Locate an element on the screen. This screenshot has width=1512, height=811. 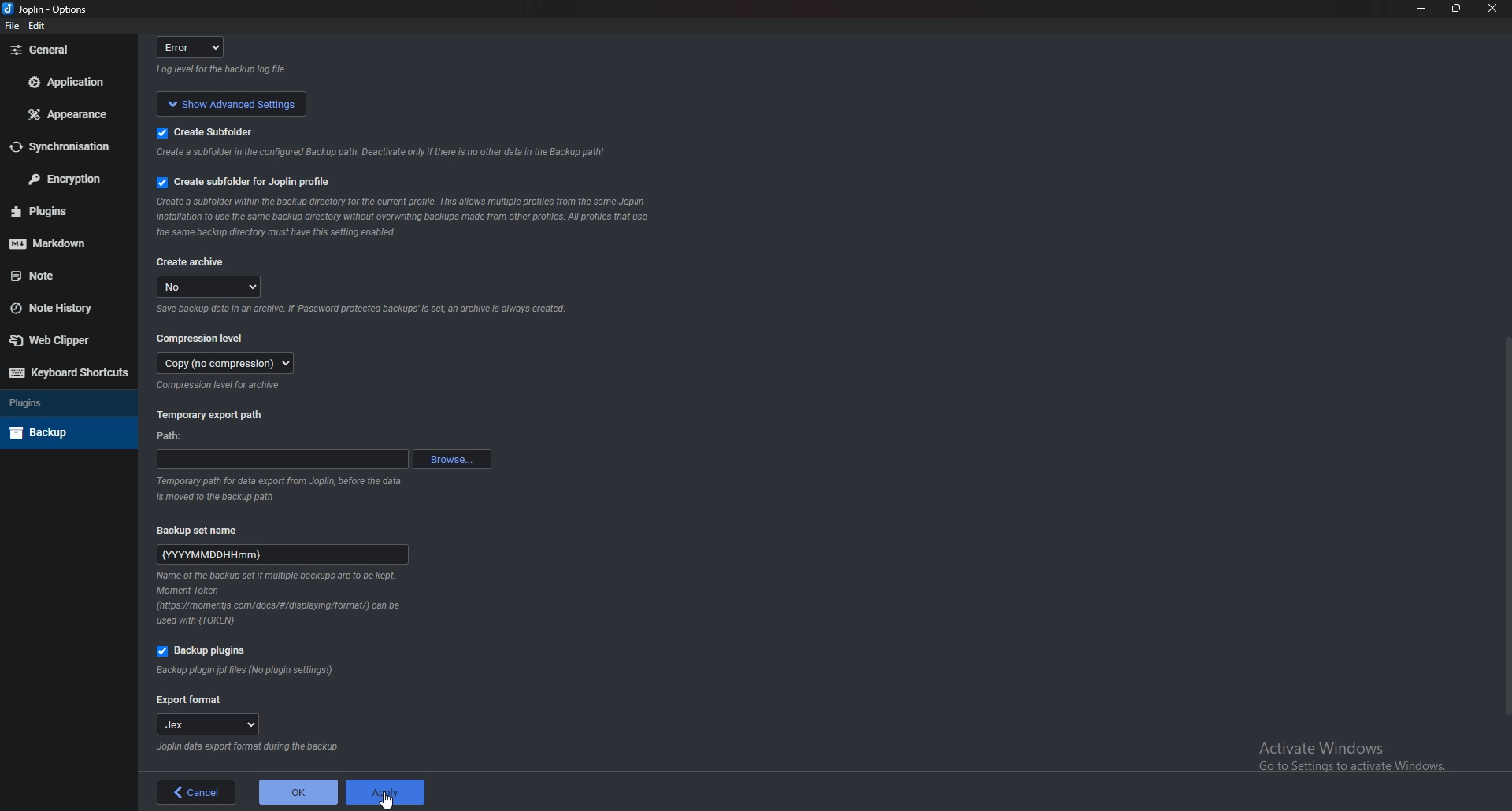
path is located at coordinates (174, 438).